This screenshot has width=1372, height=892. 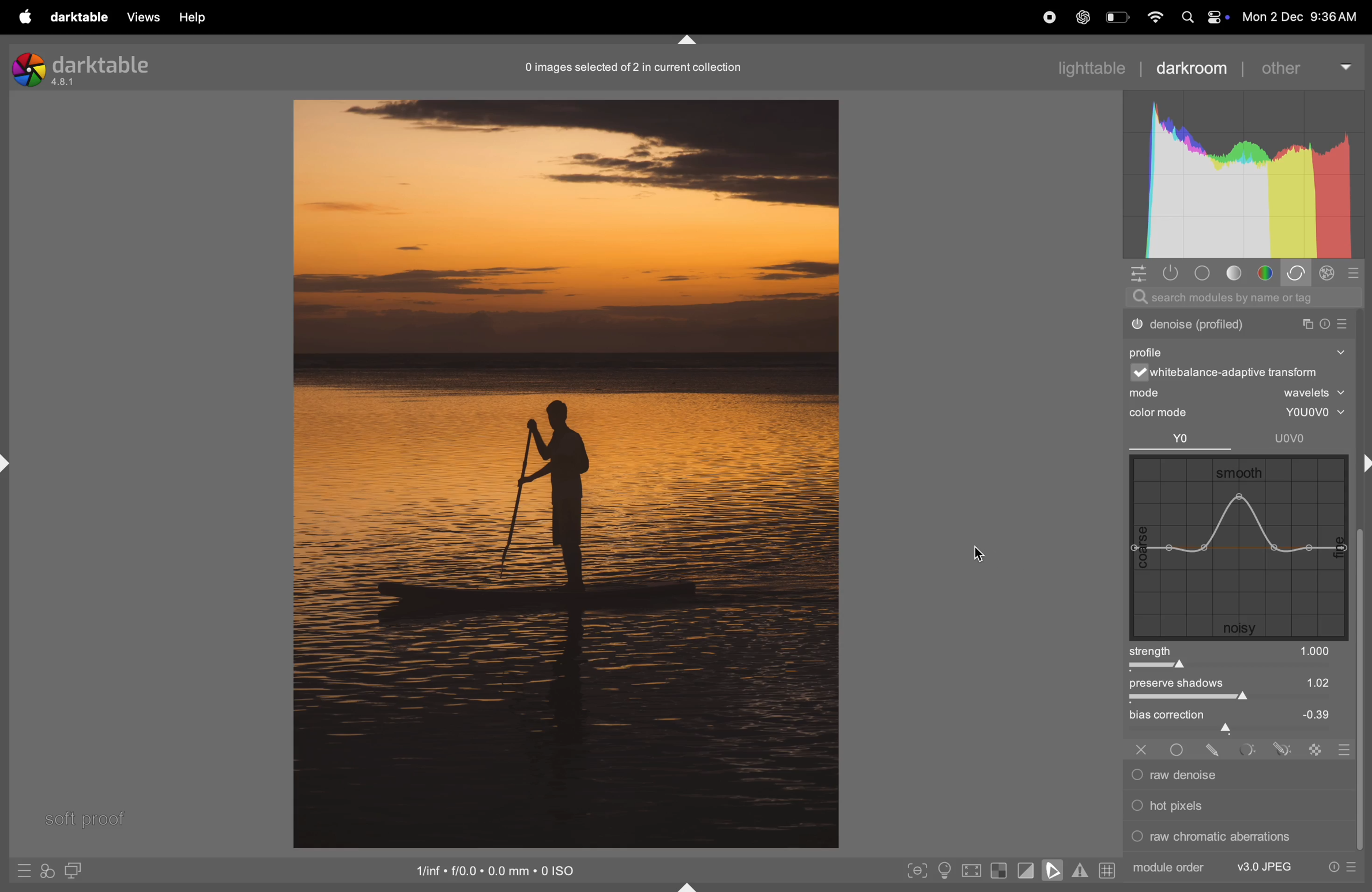 What do you see at coordinates (1173, 273) in the screenshot?
I see `show ony active modules` at bounding box center [1173, 273].